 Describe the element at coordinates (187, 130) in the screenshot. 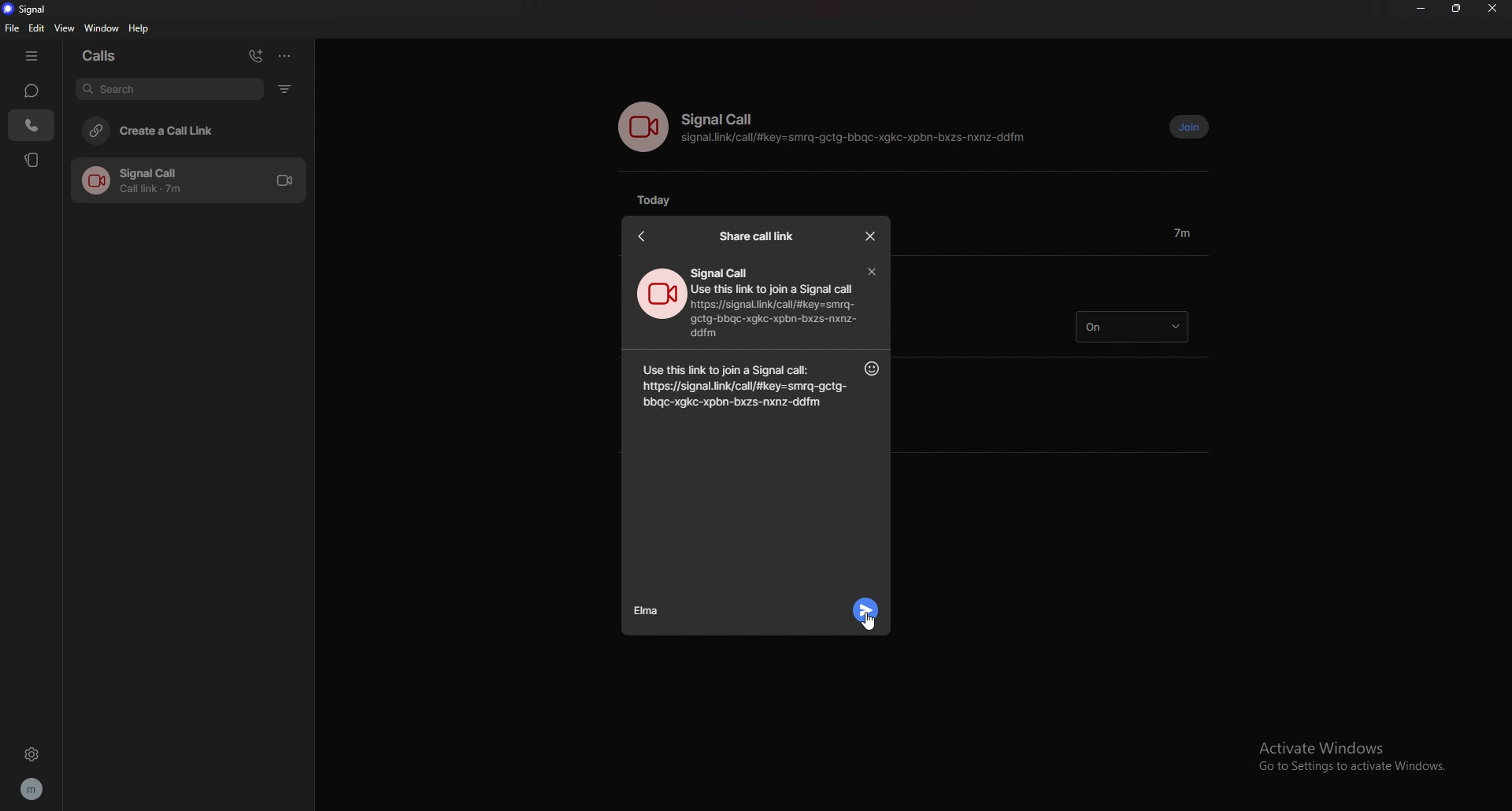

I see `create a call link` at that location.